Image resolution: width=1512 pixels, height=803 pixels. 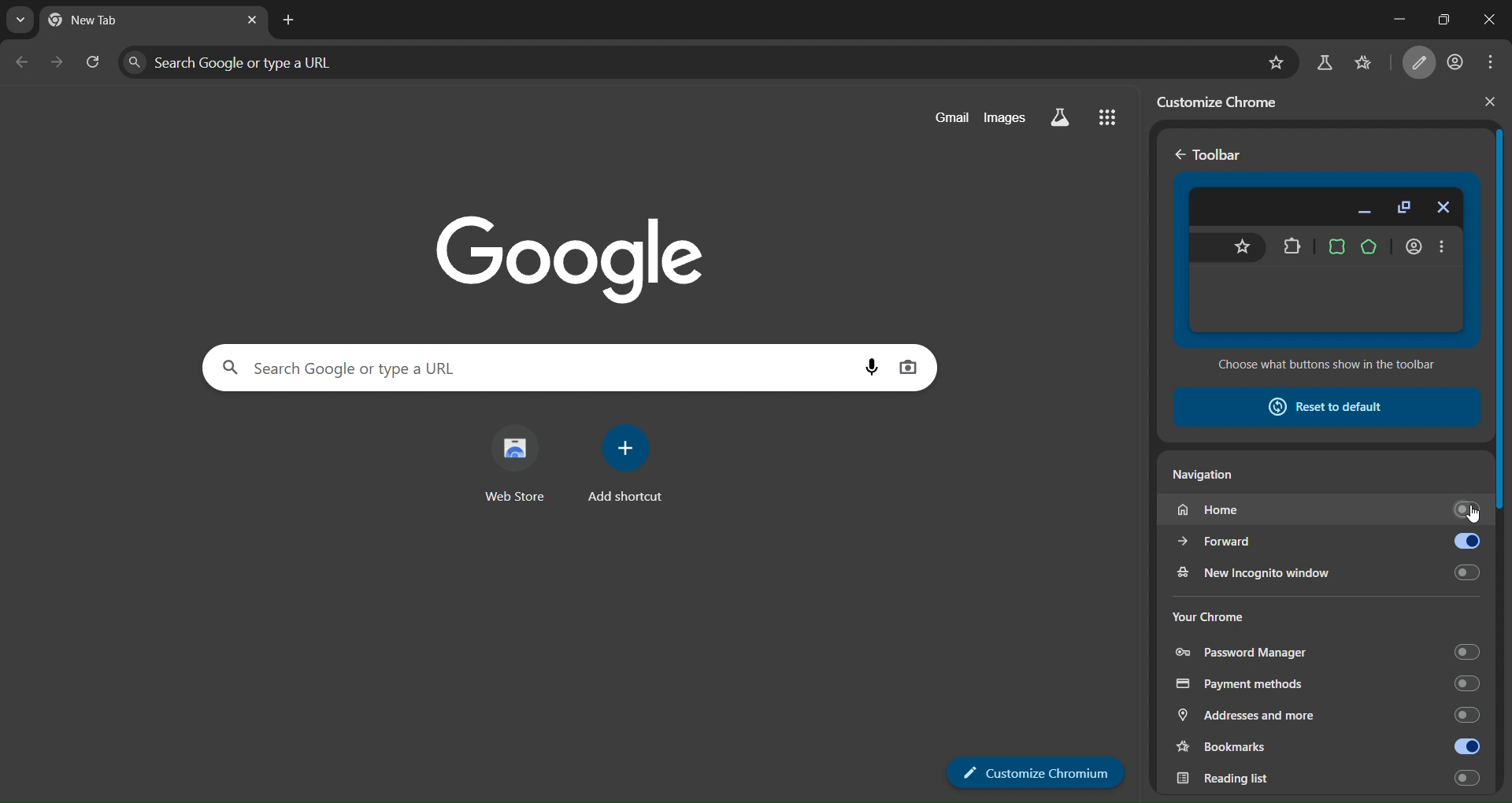 What do you see at coordinates (1037, 772) in the screenshot?
I see `Customize Chrome` at bounding box center [1037, 772].